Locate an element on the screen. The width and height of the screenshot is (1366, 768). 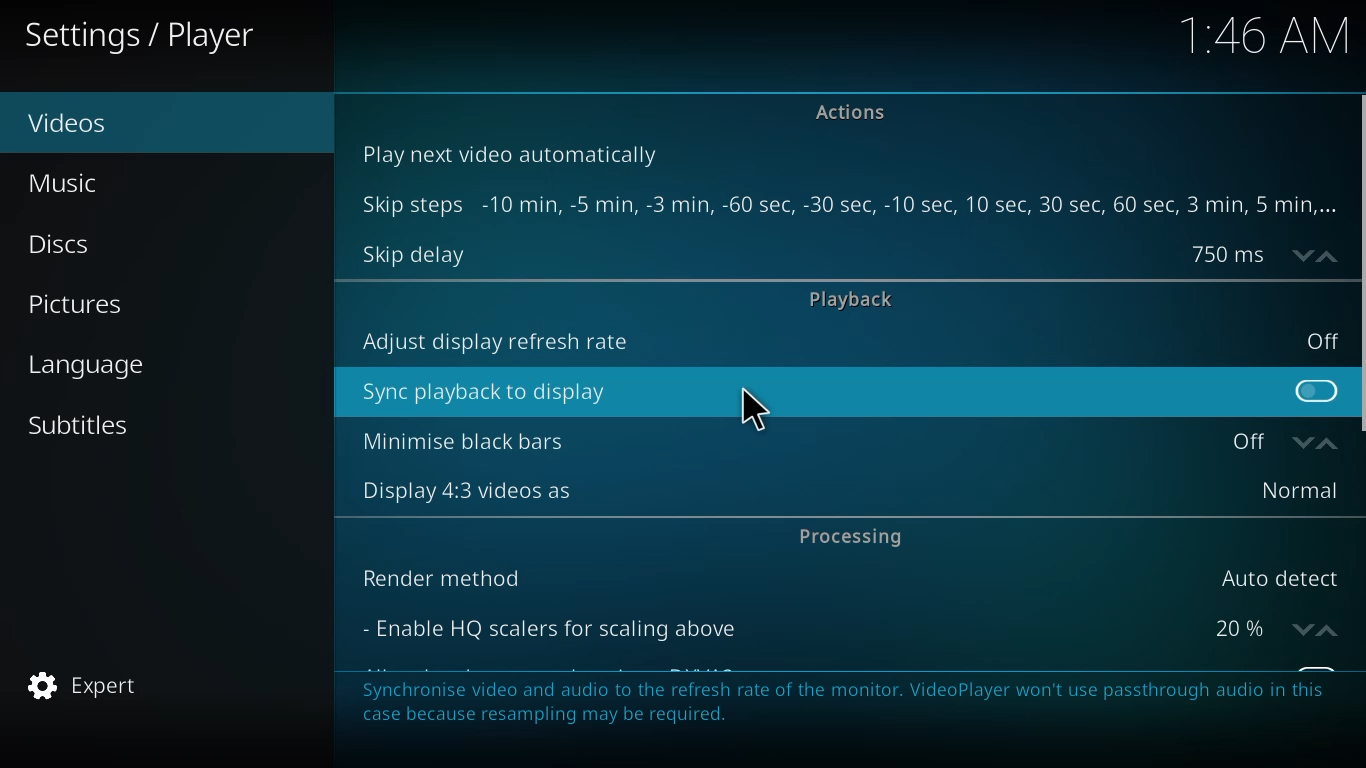
adjust display refresh rate is located at coordinates (489, 341).